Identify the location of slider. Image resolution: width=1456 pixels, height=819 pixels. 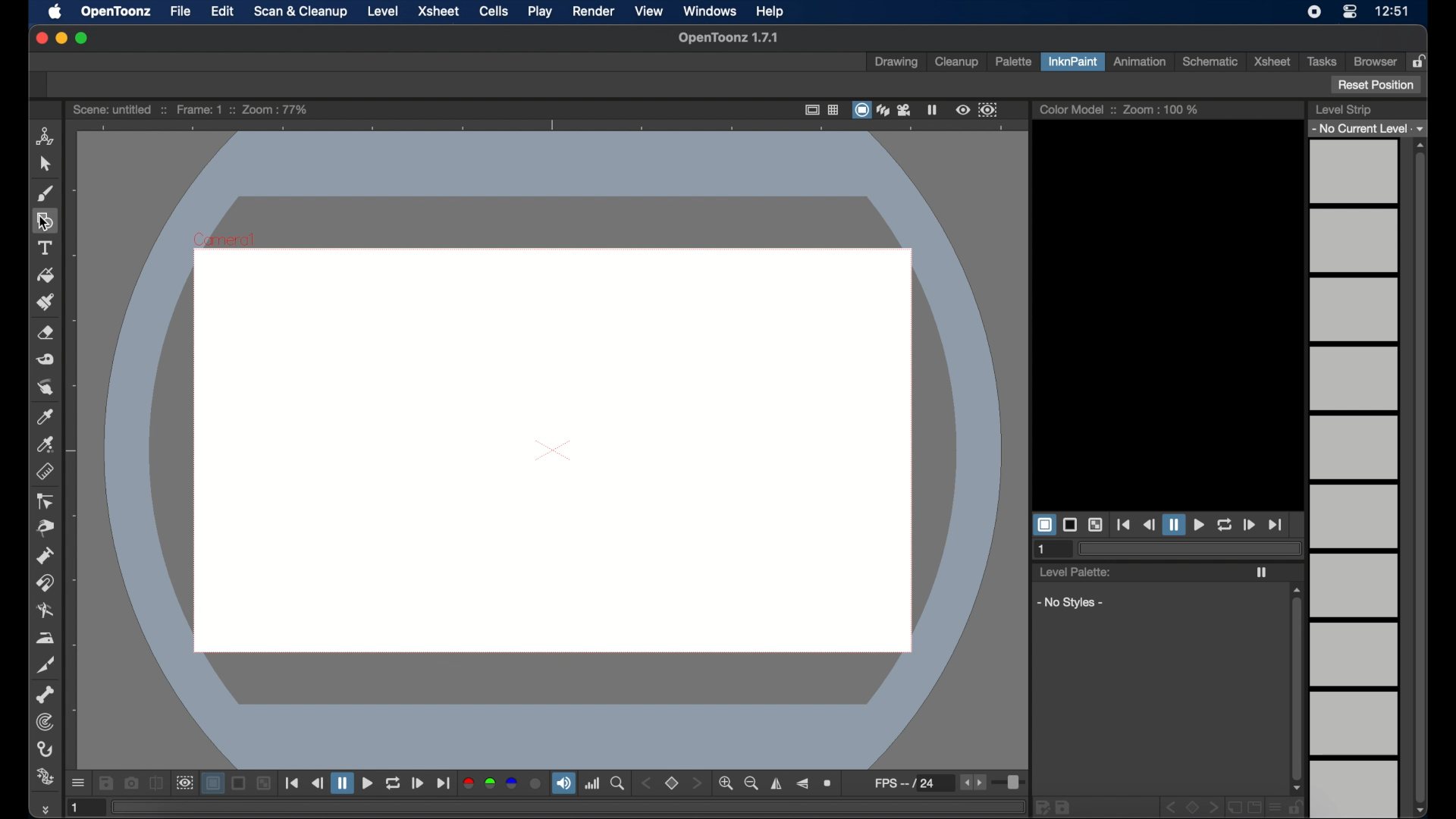
(1011, 784).